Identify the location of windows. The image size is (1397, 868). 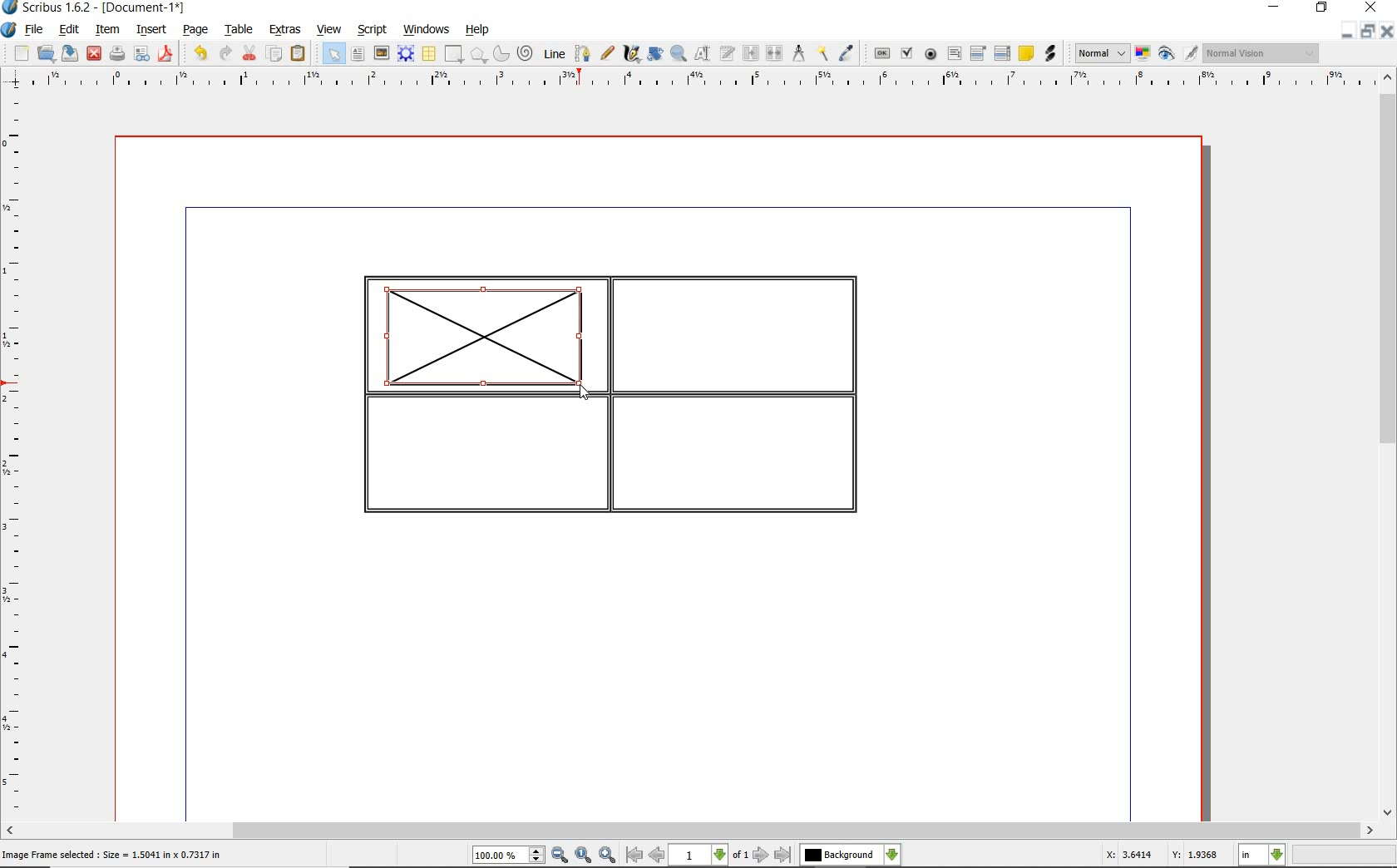
(426, 30).